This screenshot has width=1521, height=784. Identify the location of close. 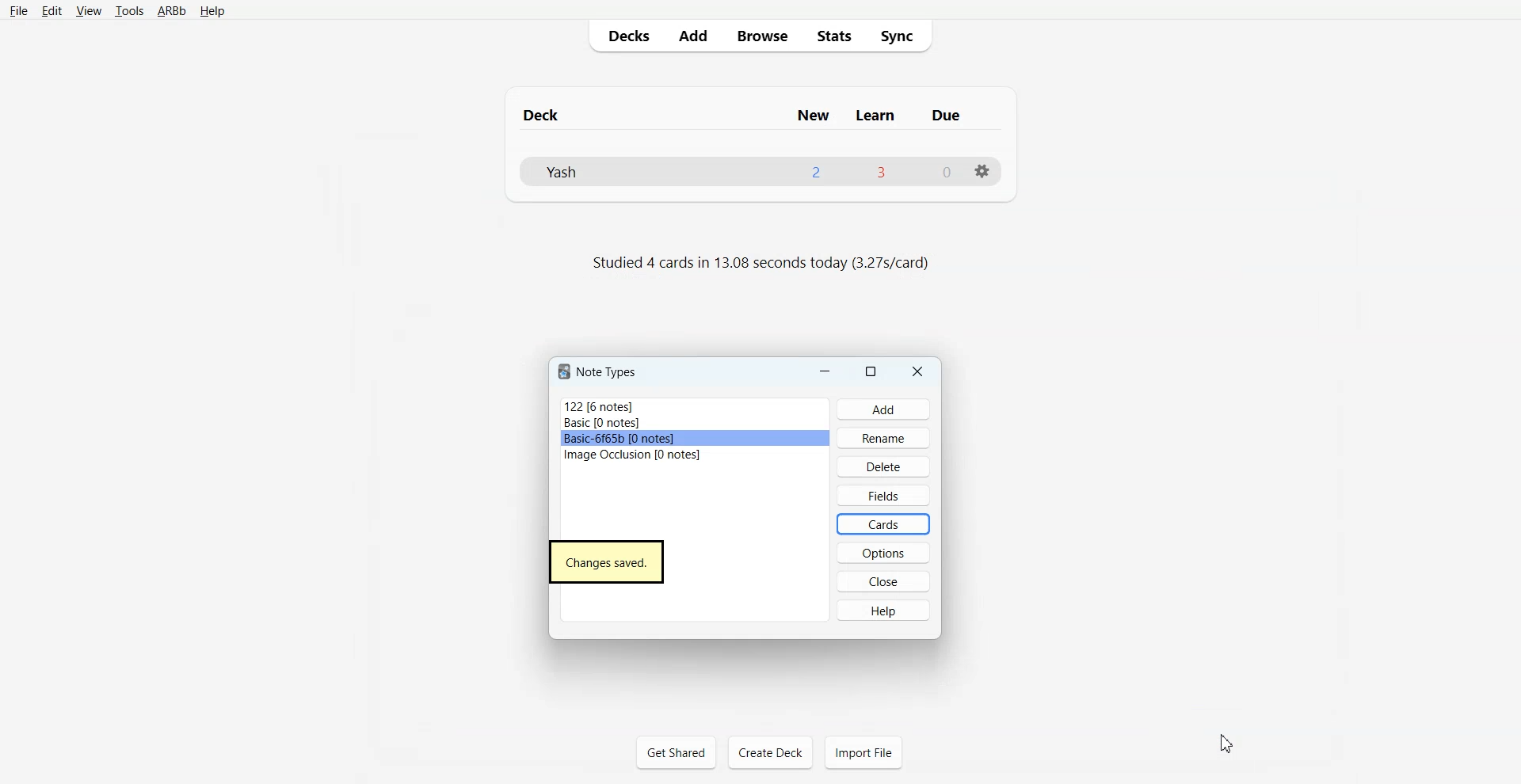
(890, 584).